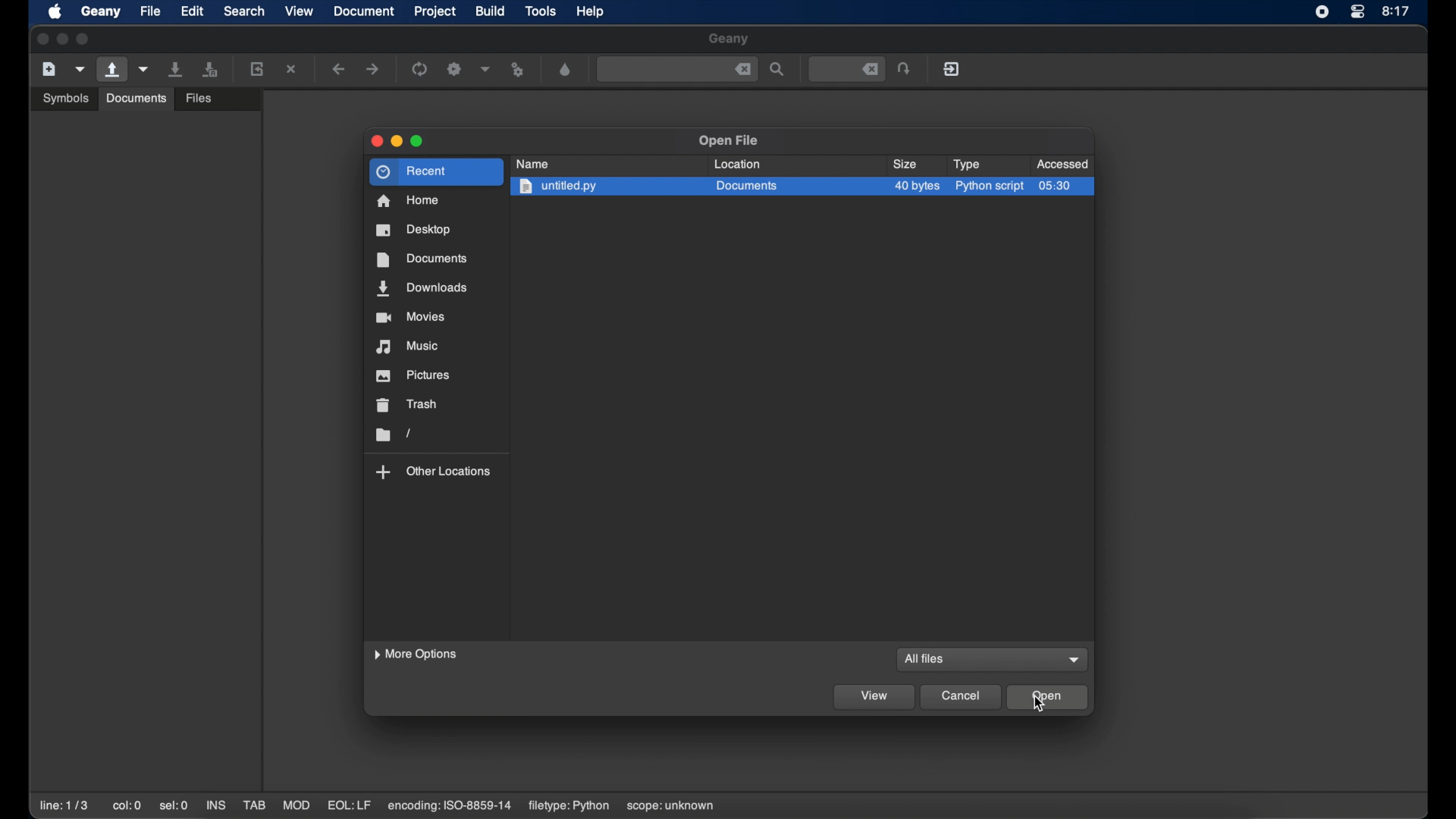  I want to click on search, so click(244, 11).